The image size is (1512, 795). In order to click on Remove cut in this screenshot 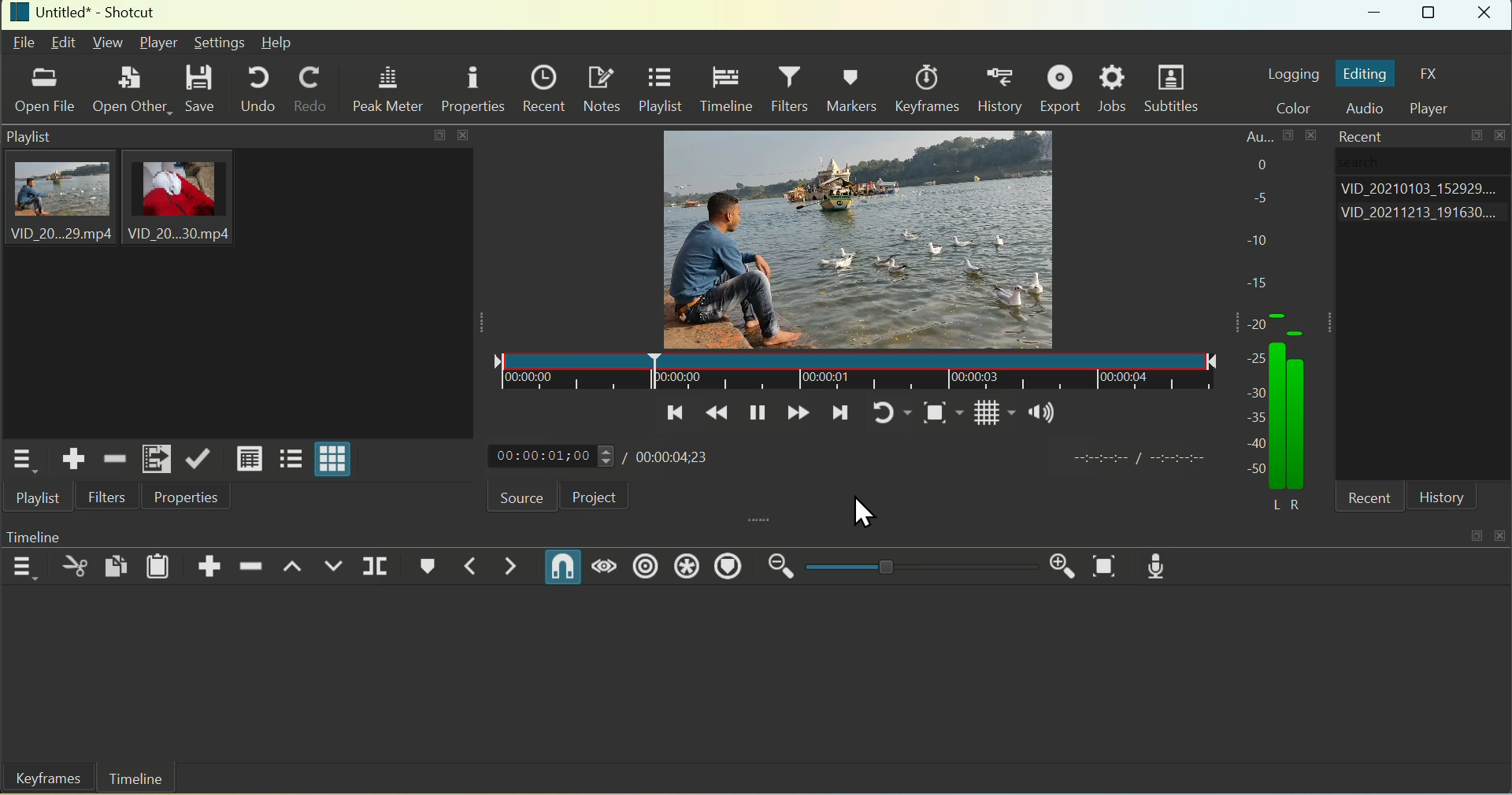, I will do `click(113, 457)`.